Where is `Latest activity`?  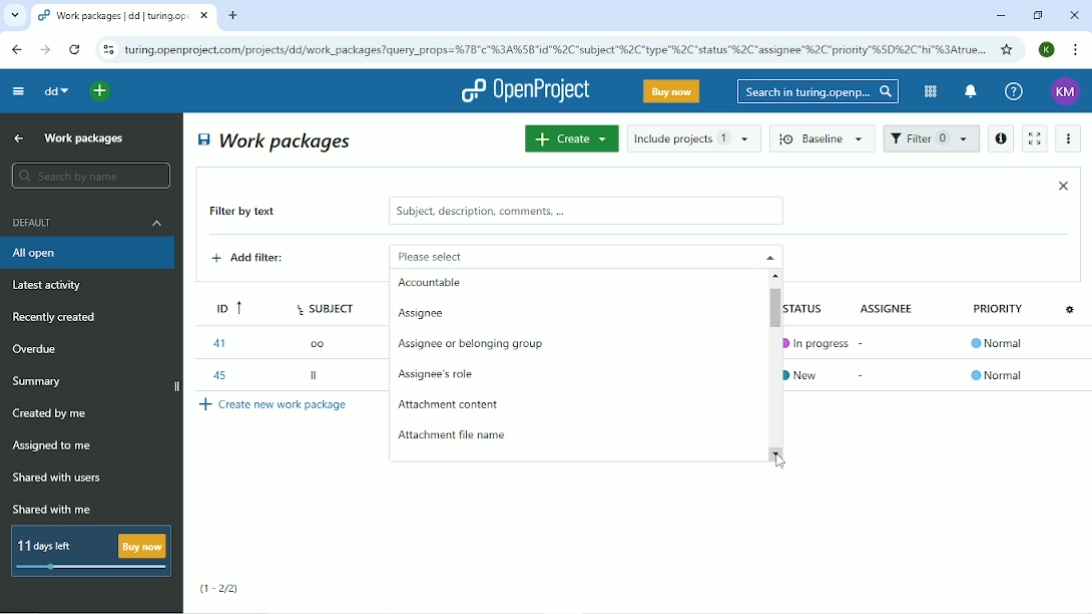 Latest activity is located at coordinates (53, 287).